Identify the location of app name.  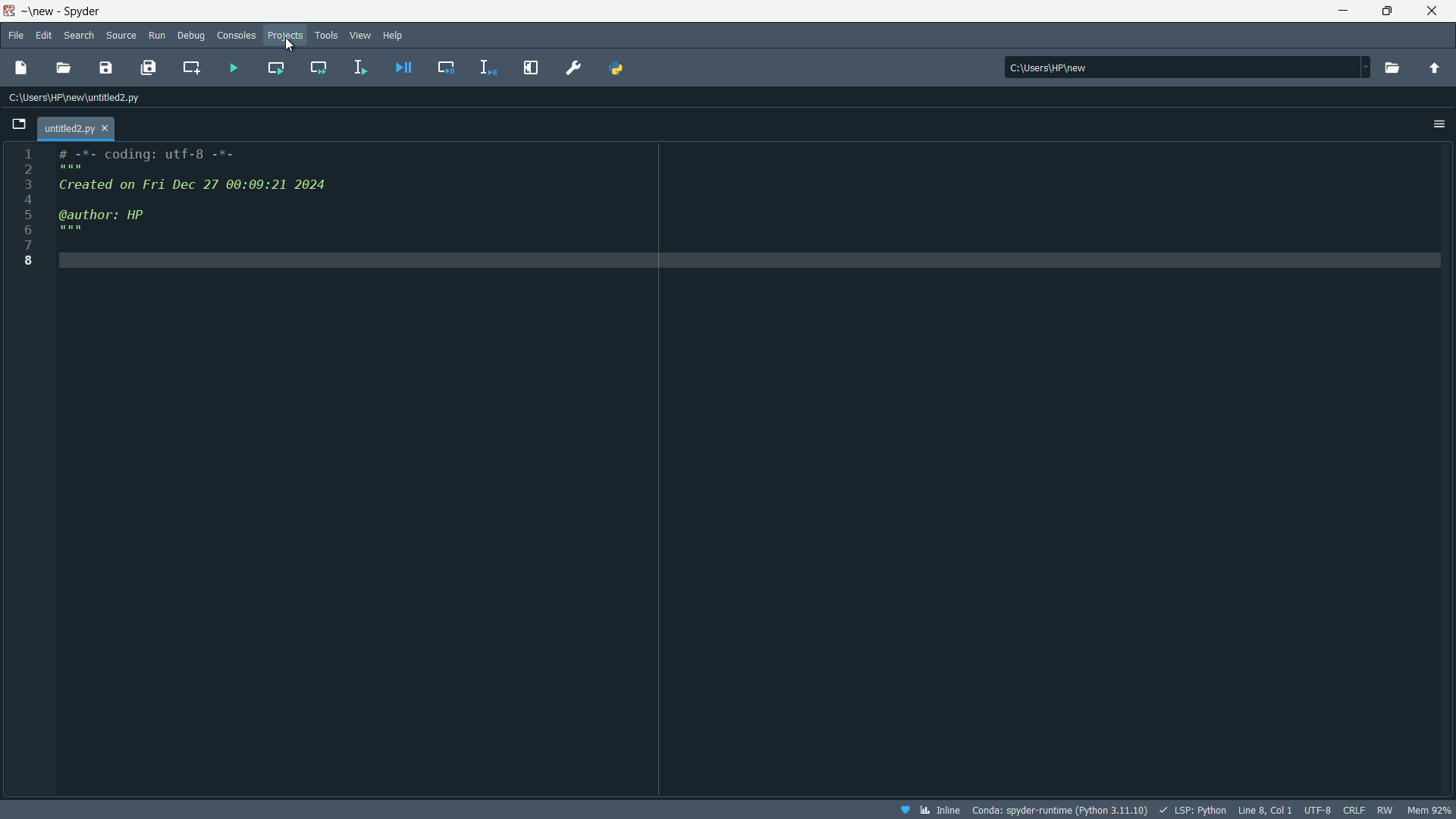
(59, 12).